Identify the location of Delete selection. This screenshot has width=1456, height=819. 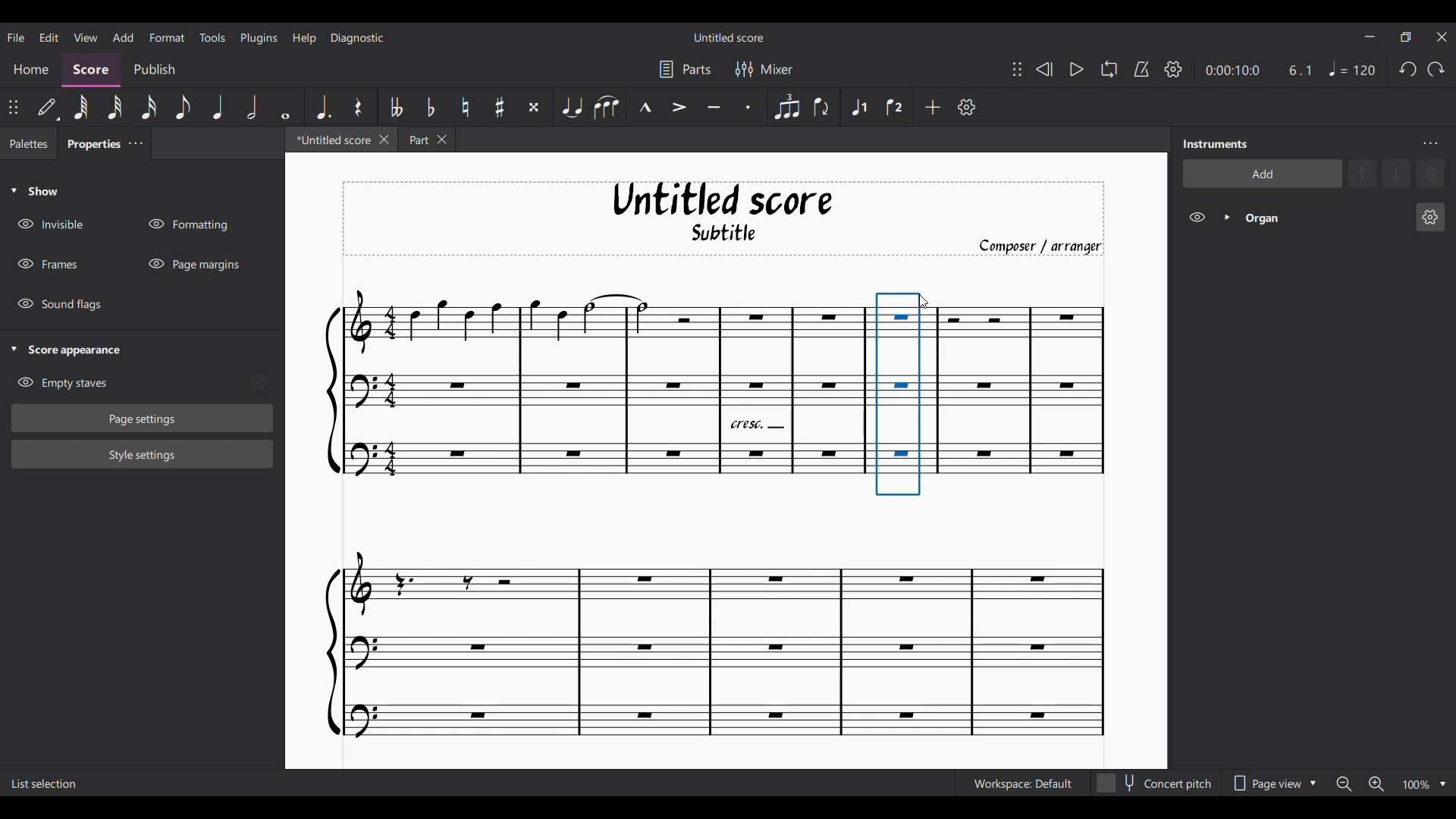
(1430, 174).